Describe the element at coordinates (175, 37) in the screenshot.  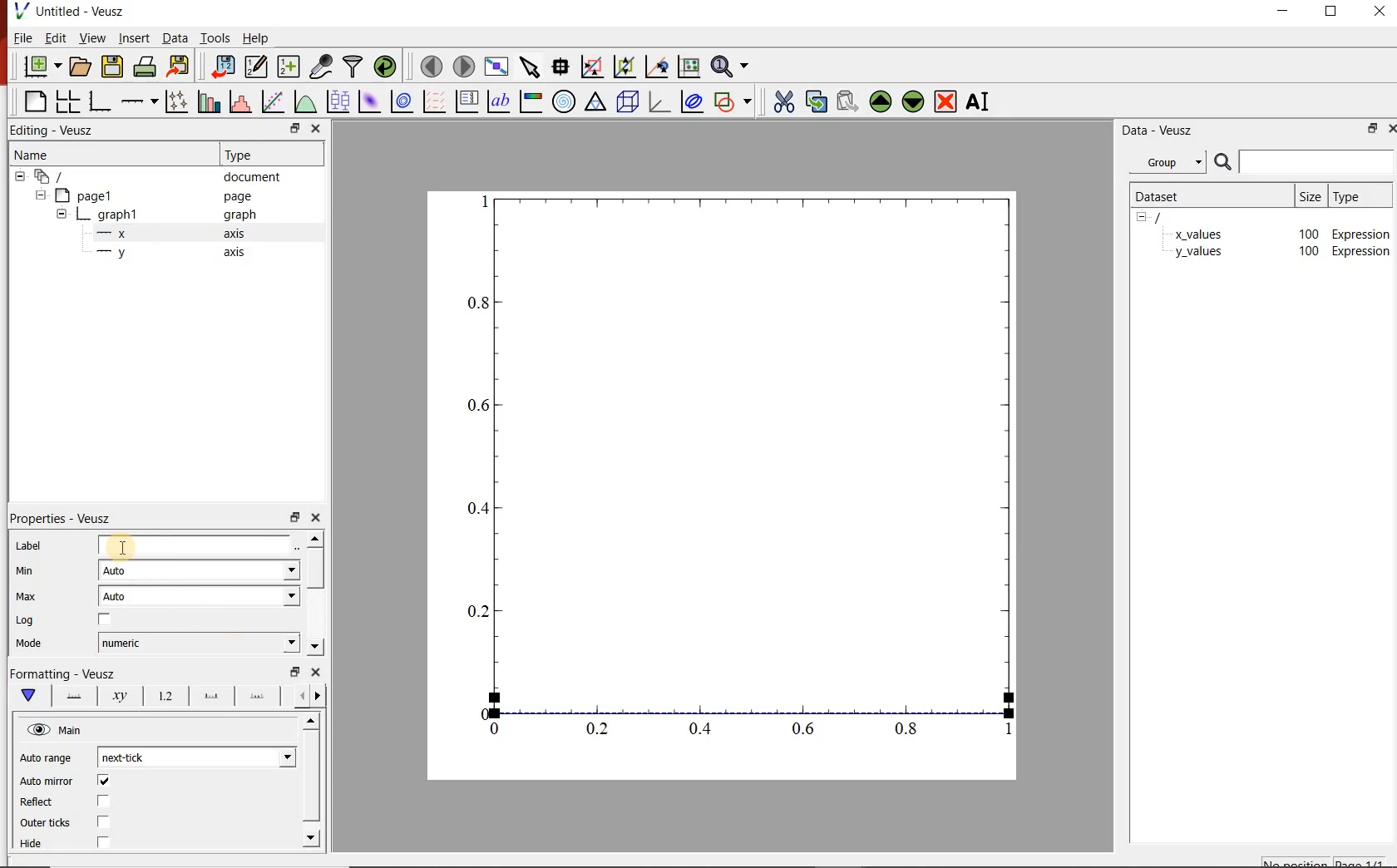
I see `data` at that location.